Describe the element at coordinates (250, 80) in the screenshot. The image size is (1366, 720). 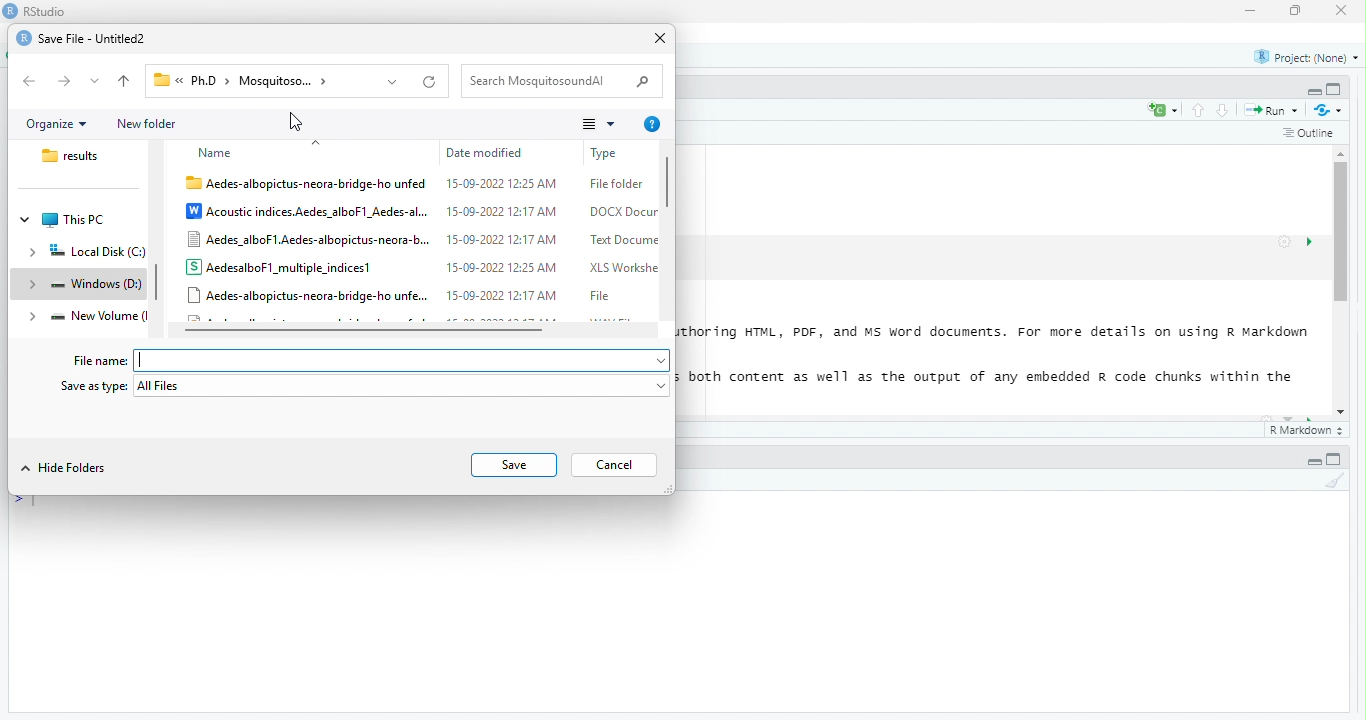
I see `« PhD > Mosquitoso... >` at that location.